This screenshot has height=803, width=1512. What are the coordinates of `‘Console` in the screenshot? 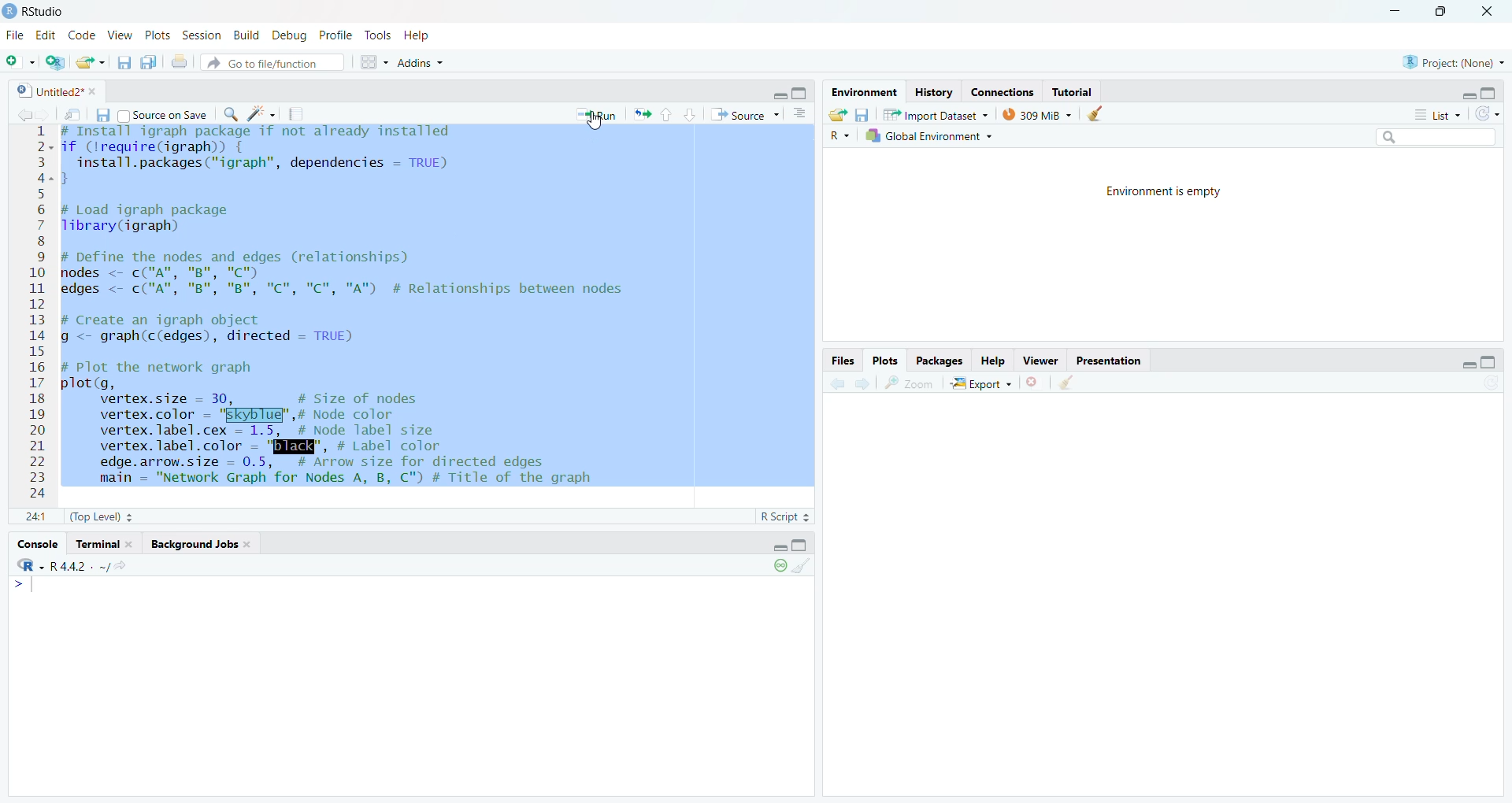 It's located at (37, 542).